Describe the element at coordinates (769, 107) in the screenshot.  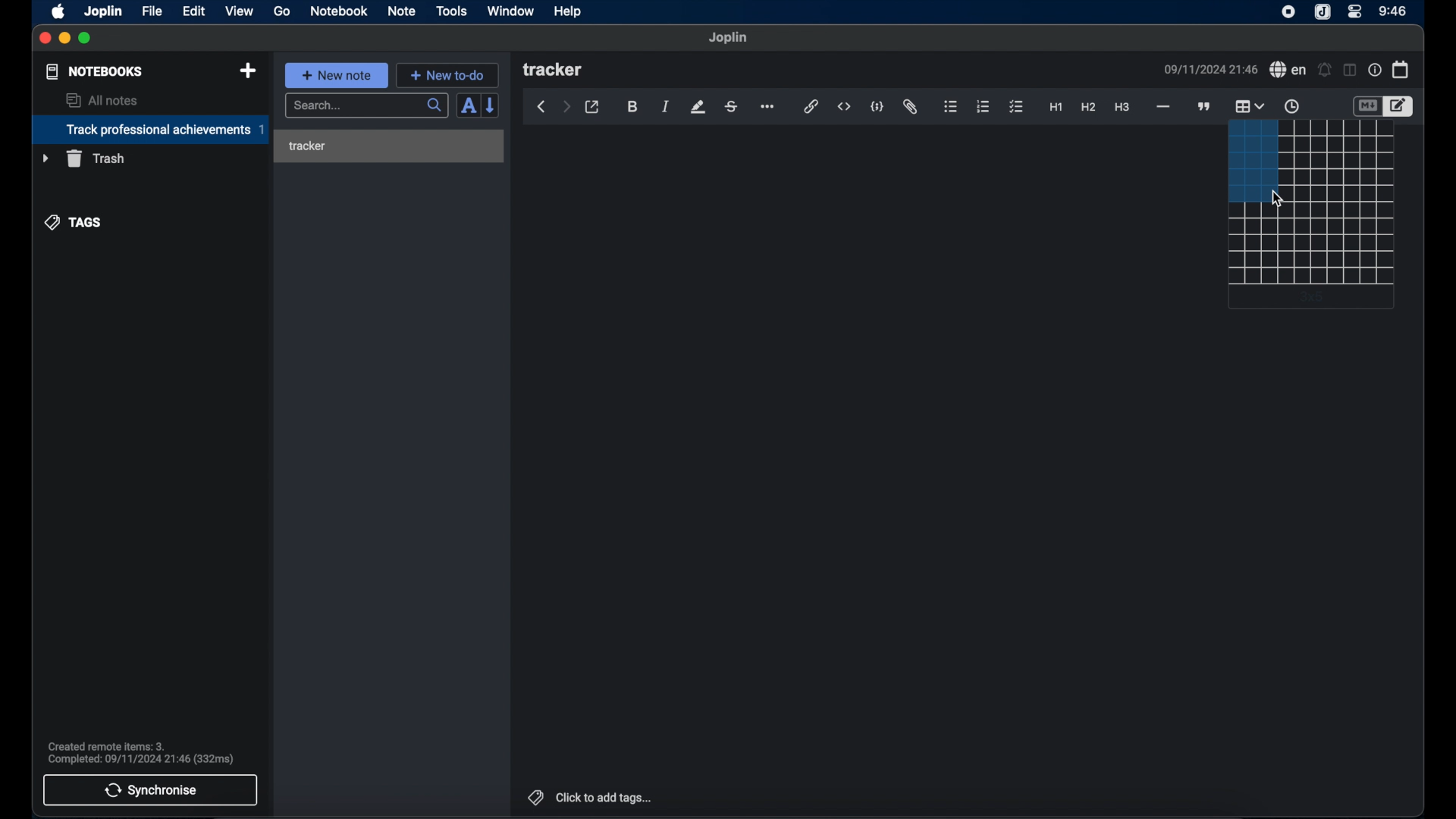
I see `more options` at that location.